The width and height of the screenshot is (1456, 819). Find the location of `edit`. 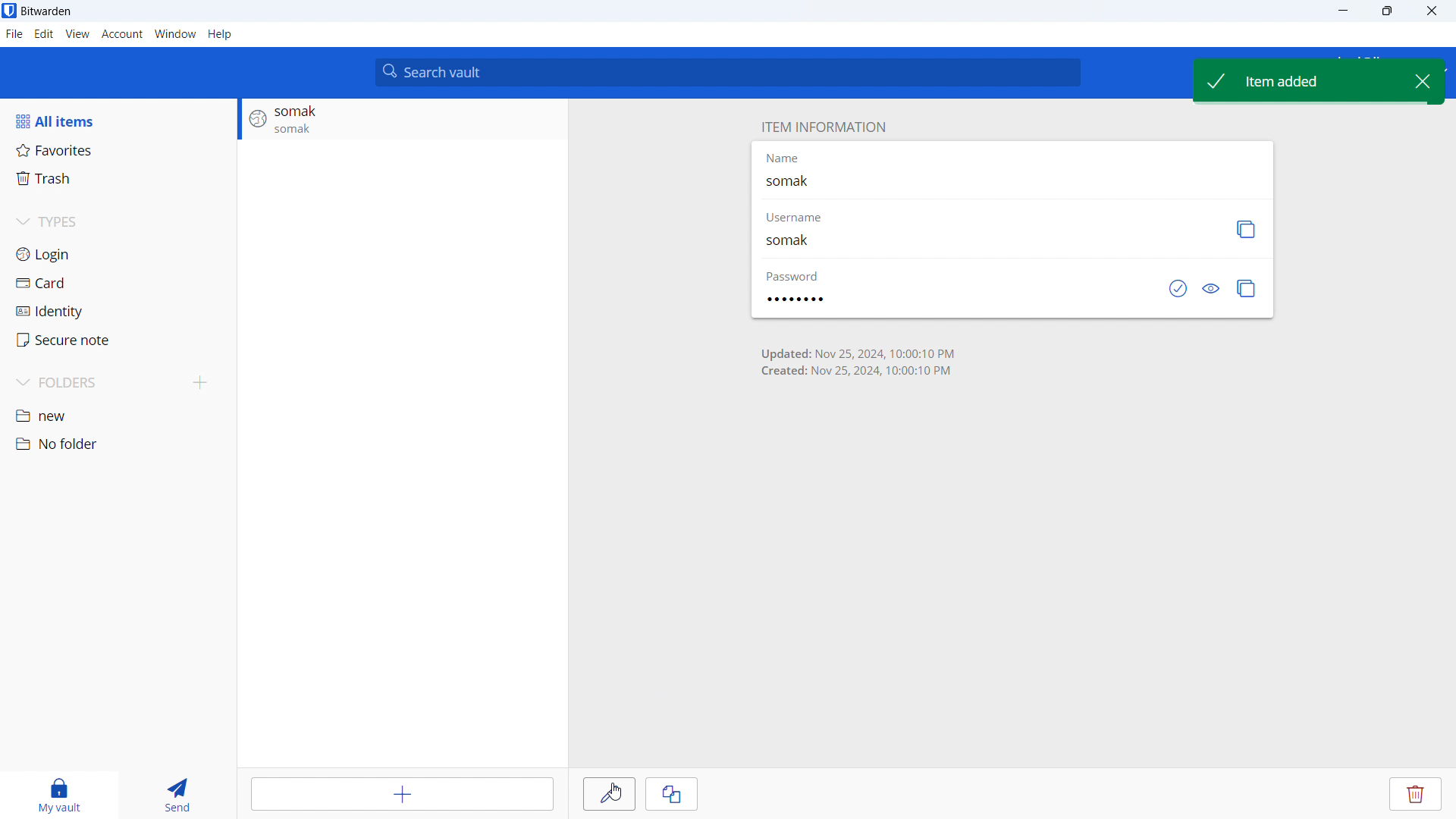

edit is located at coordinates (609, 794).